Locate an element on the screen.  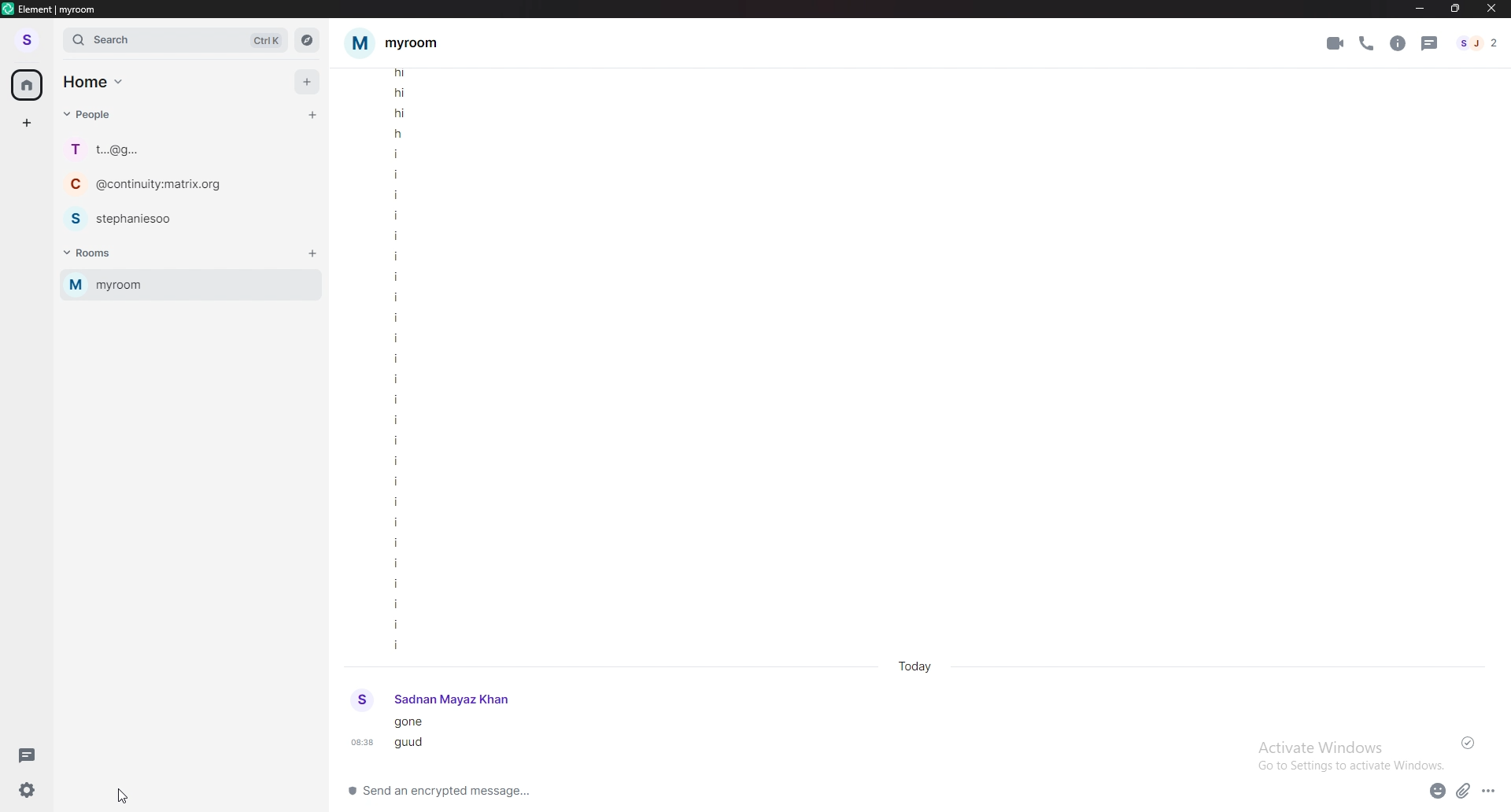
home is located at coordinates (28, 86).